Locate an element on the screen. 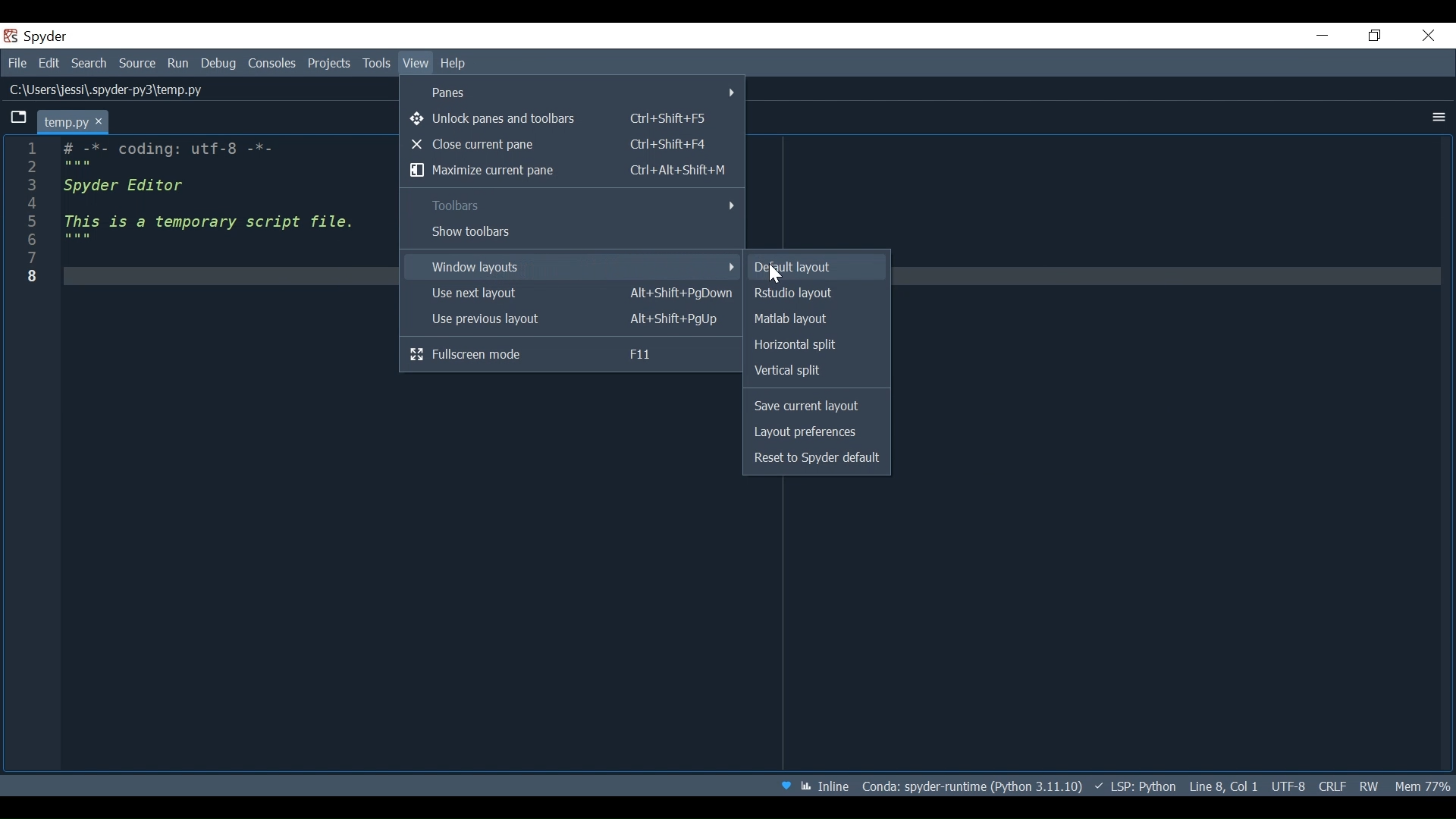  Browse Tab is located at coordinates (22, 118).